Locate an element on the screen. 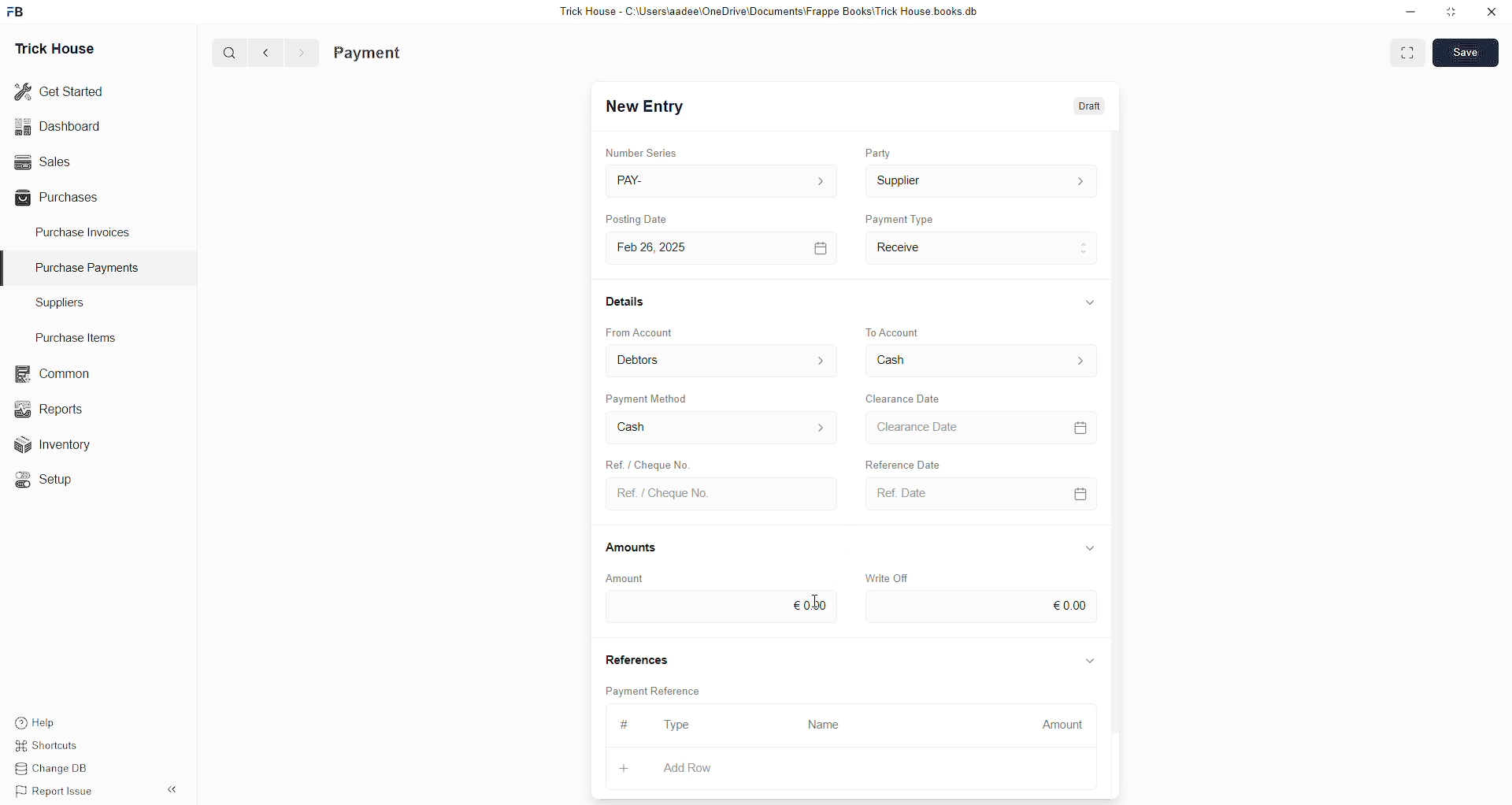  Write Off is located at coordinates (888, 574).